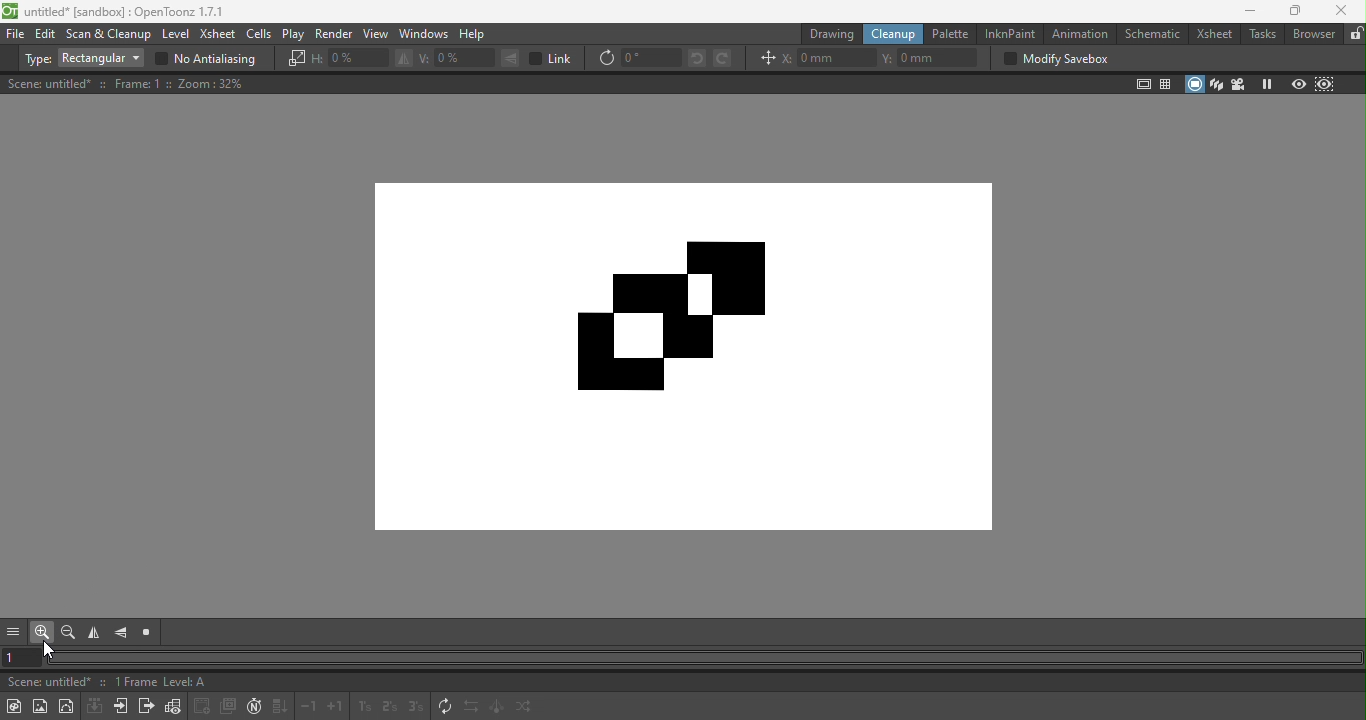 This screenshot has height=720, width=1366. Describe the element at coordinates (92, 633) in the screenshot. I see `Flip horizontally` at that location.